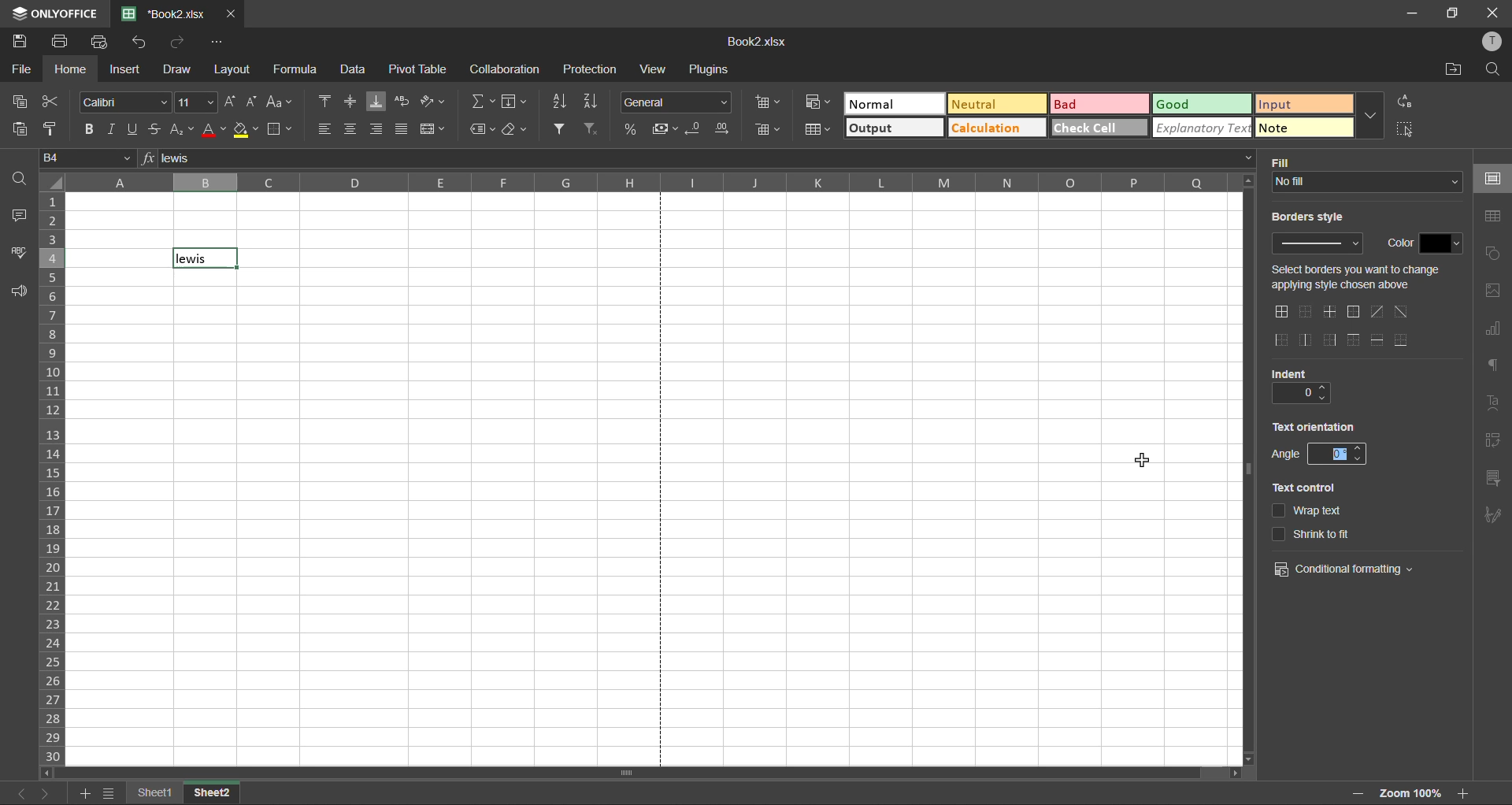 This screenshot has height=805, width=1512. What do you see at coordinates (1361, 460) in the screenshot?
I see `decrease angle` at bounding box center [1361, 460].